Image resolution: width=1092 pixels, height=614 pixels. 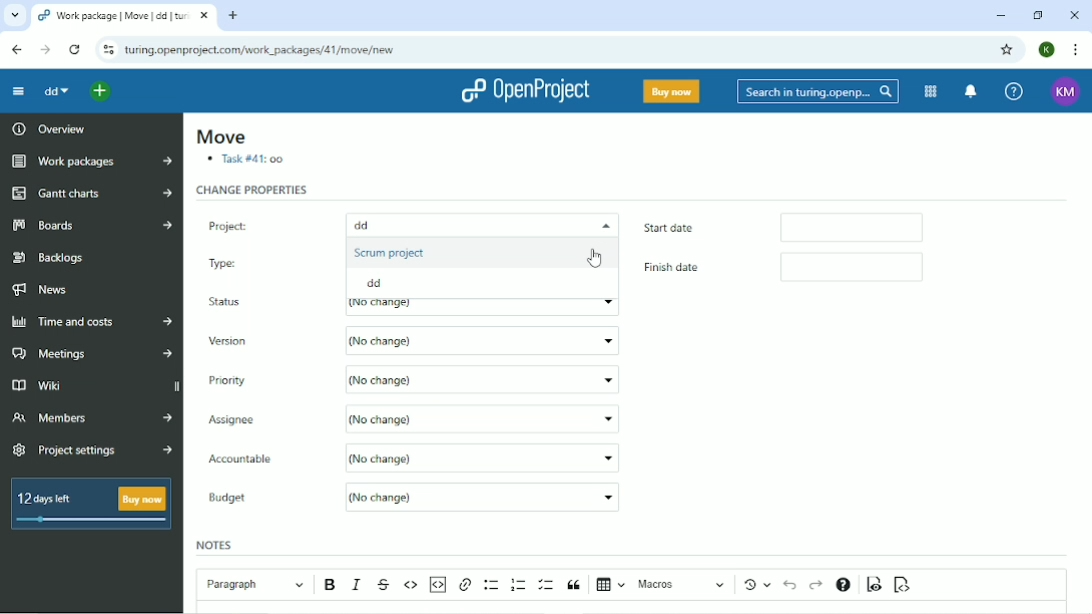 What do you see at coordinates (489, 457) in the screenshot?
I see `(No change)` at bounding box center [489, 457].